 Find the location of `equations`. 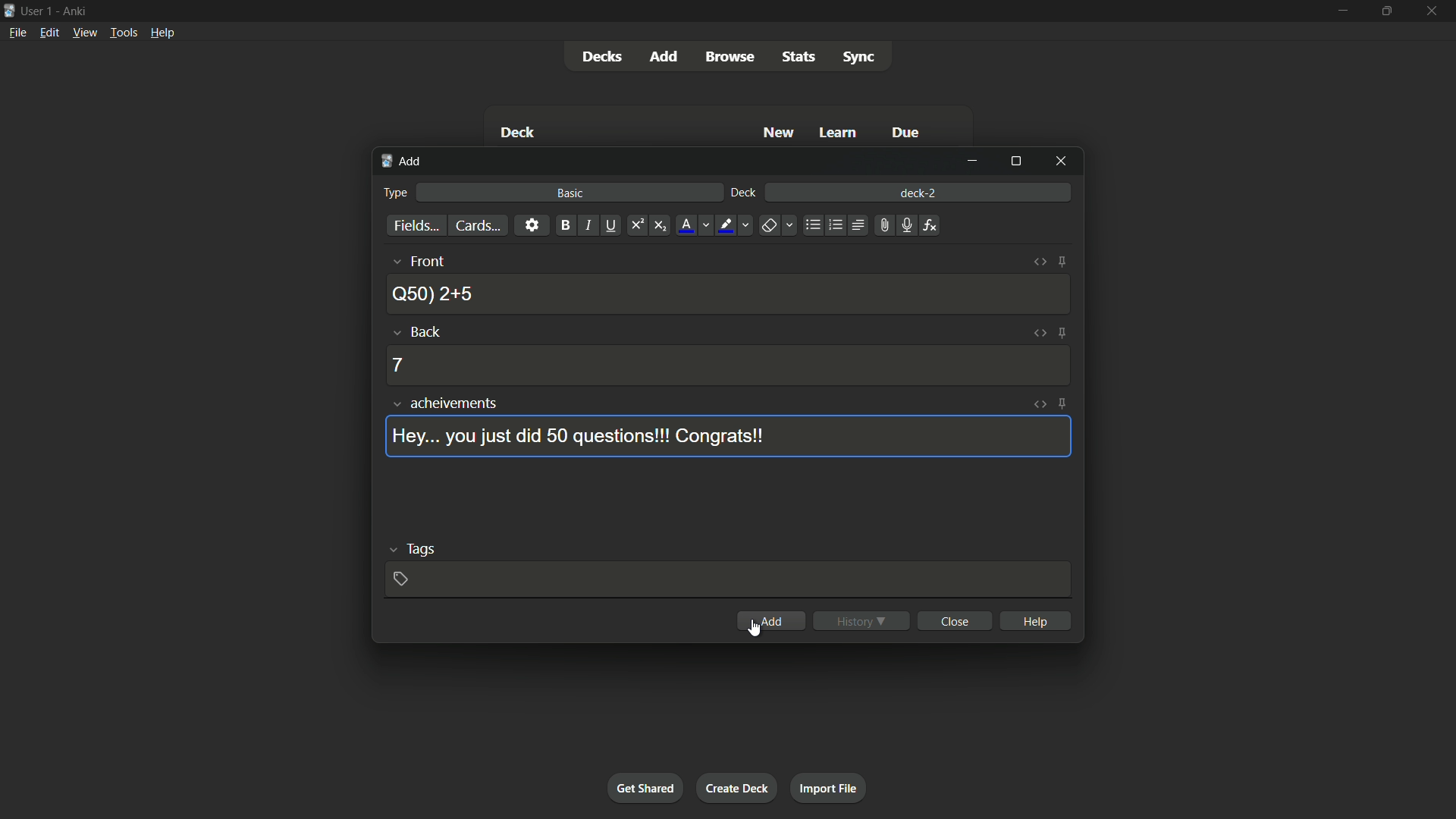

equations is located at coordinates (930, 225).